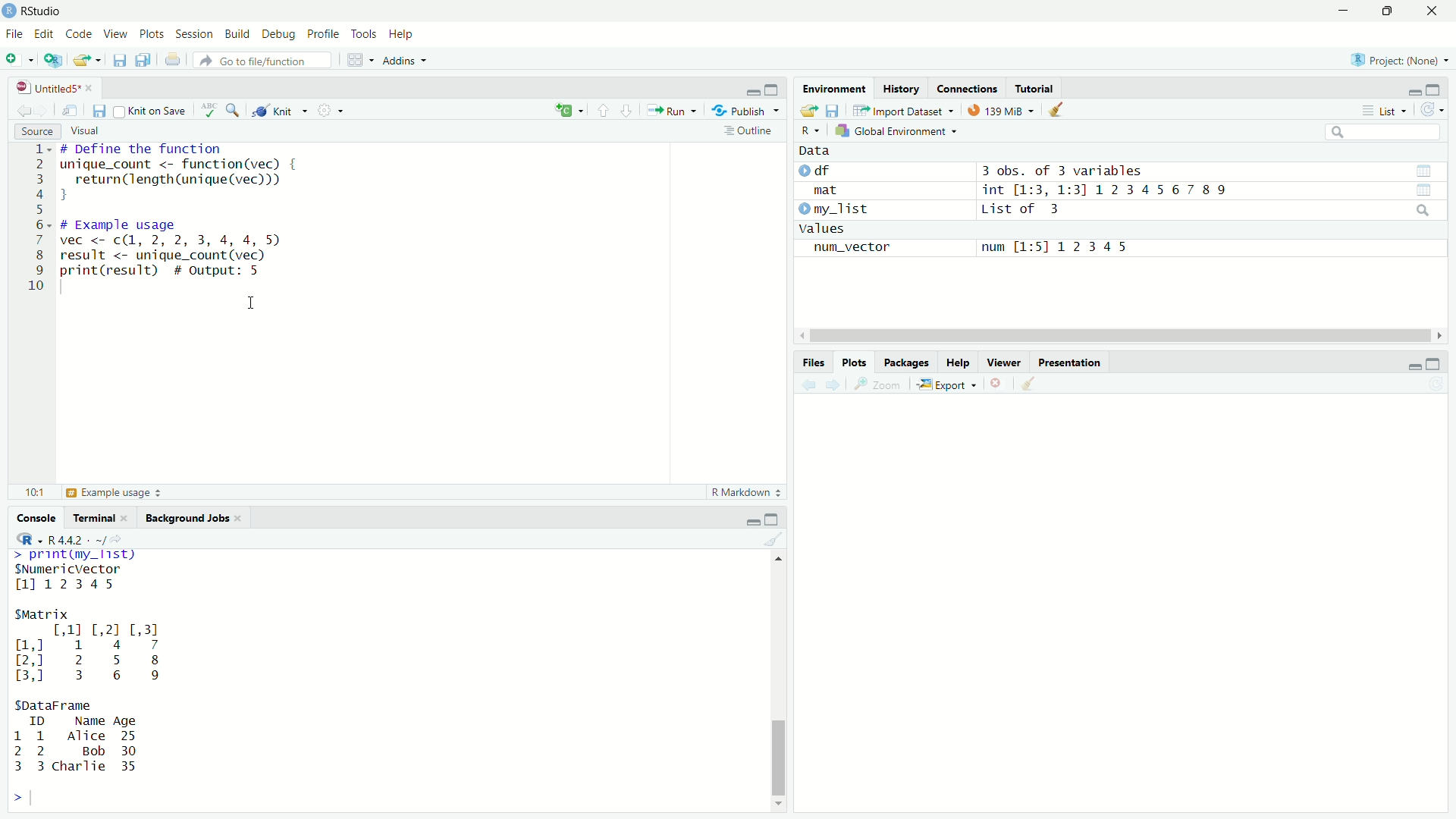 The width and height of the screenshot is (1456, 819). Describe the element at coordinates (1072, 362) in the screenshot. I see `Presentation` at that location.